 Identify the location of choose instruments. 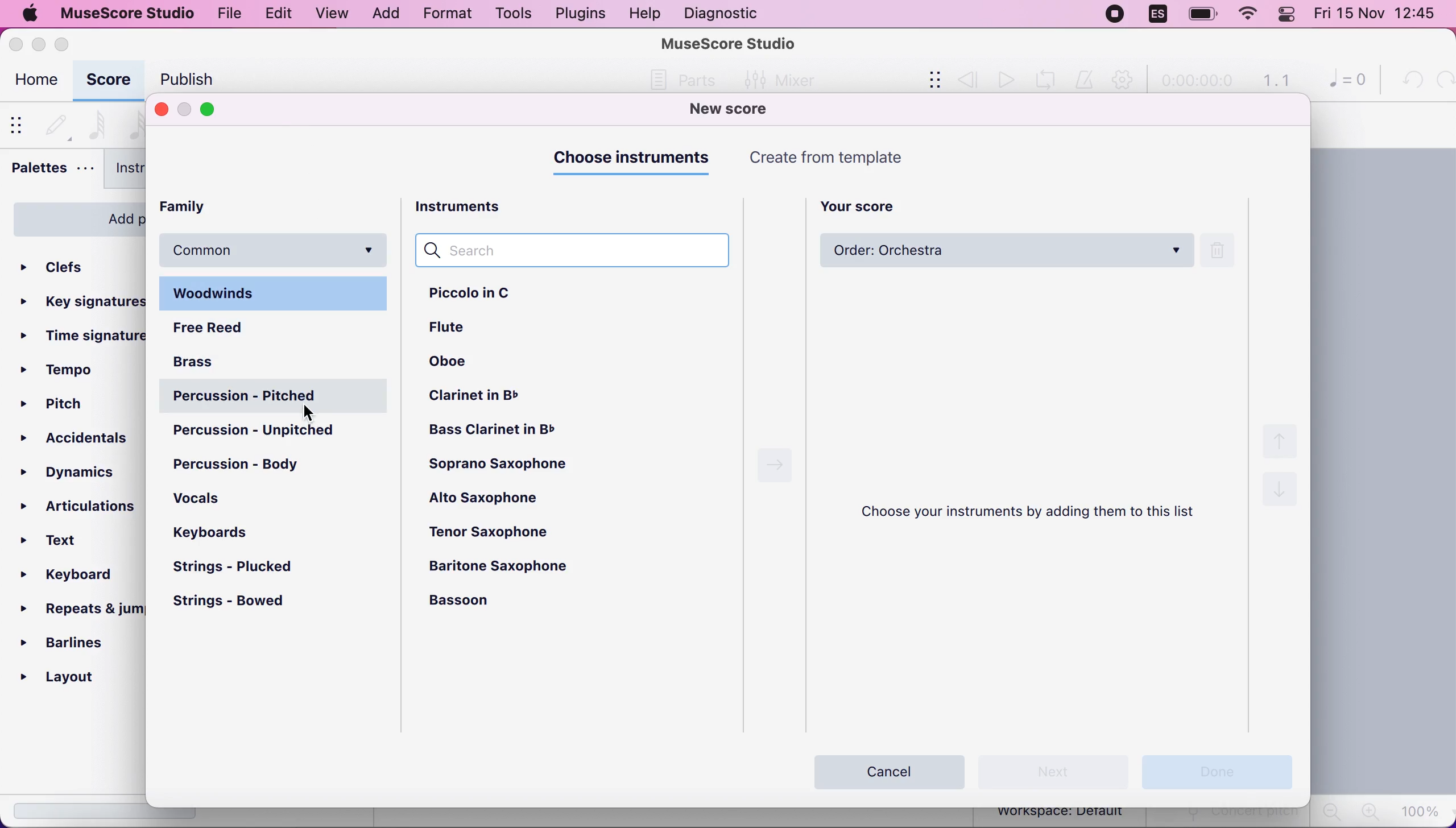
(635, 159).